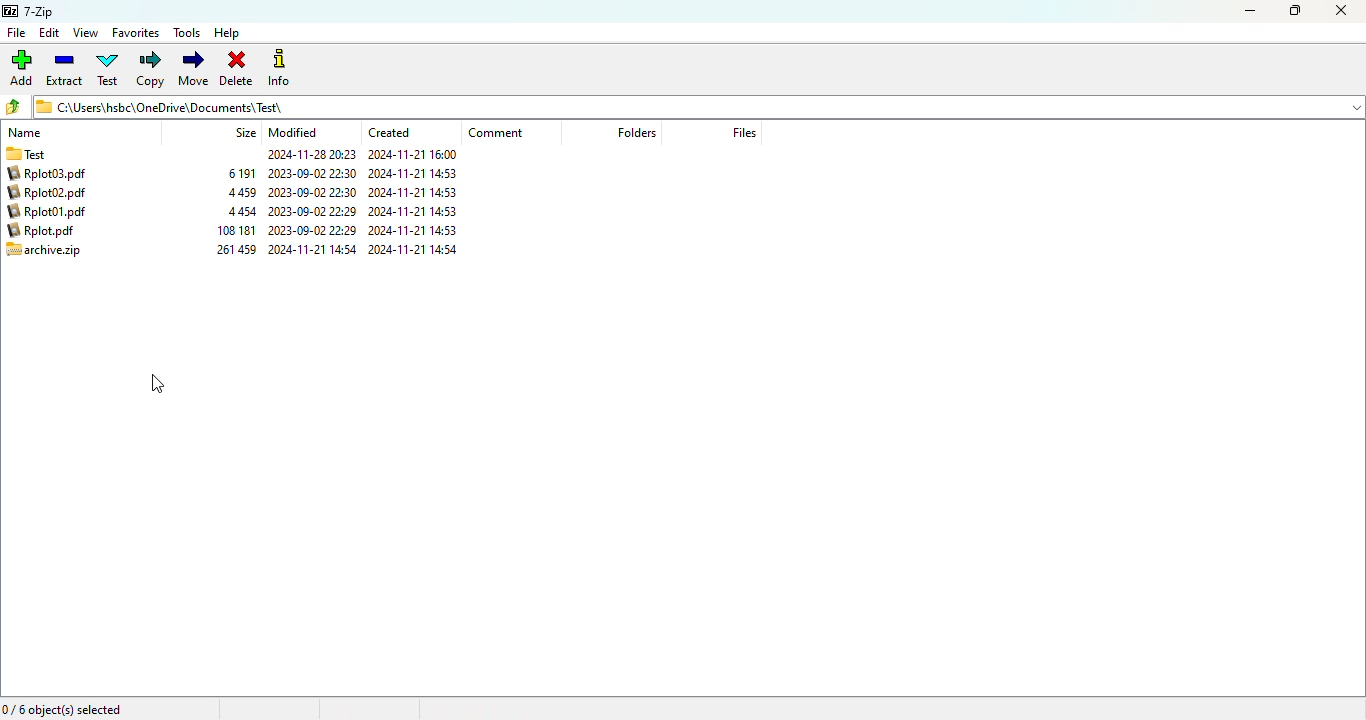  Describe the element at coordinates (194, 68) in the screenshot. I see `move` at that location.